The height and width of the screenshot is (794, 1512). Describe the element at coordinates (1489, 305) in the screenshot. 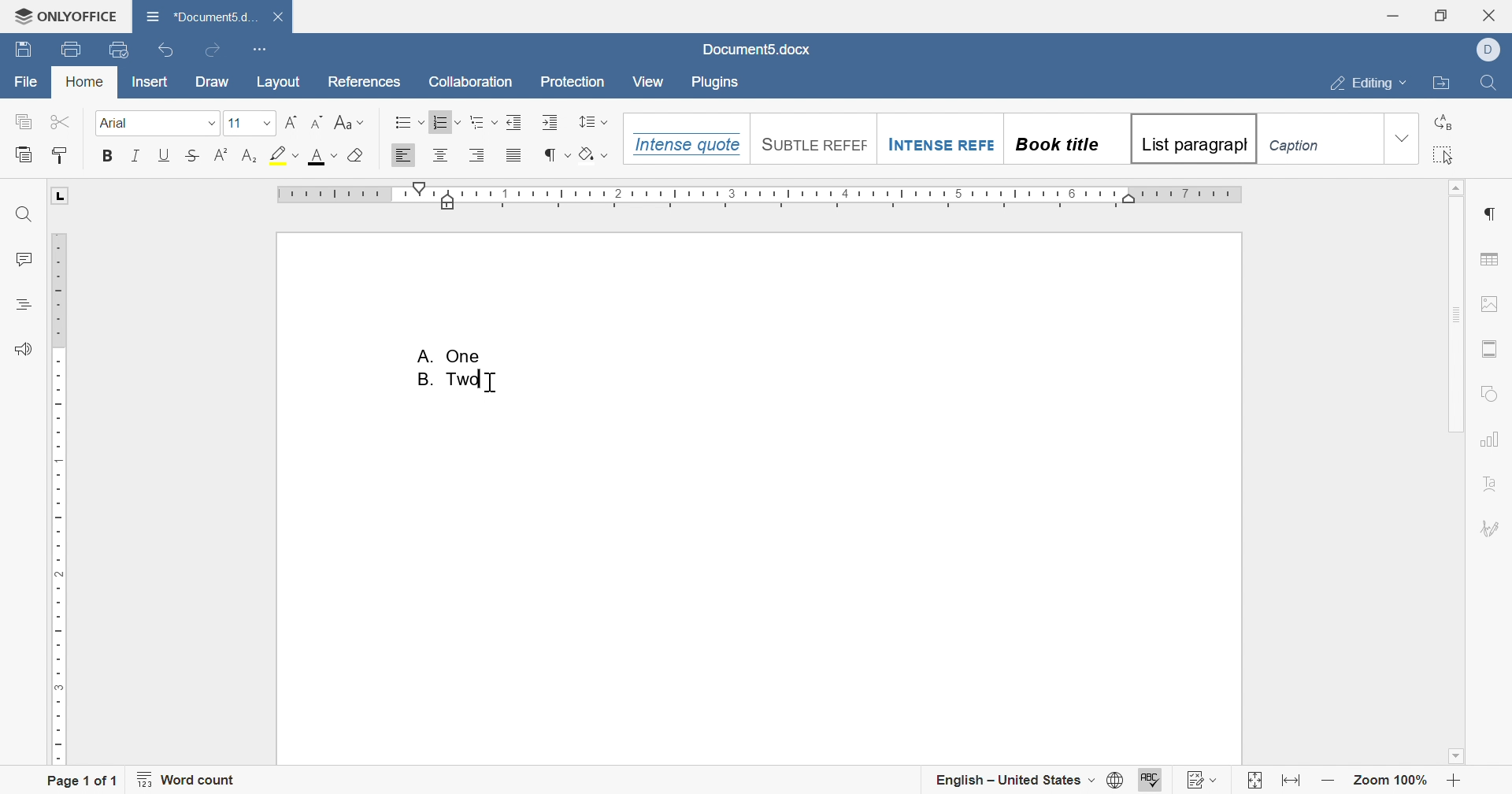

I see `image settings` at that location.